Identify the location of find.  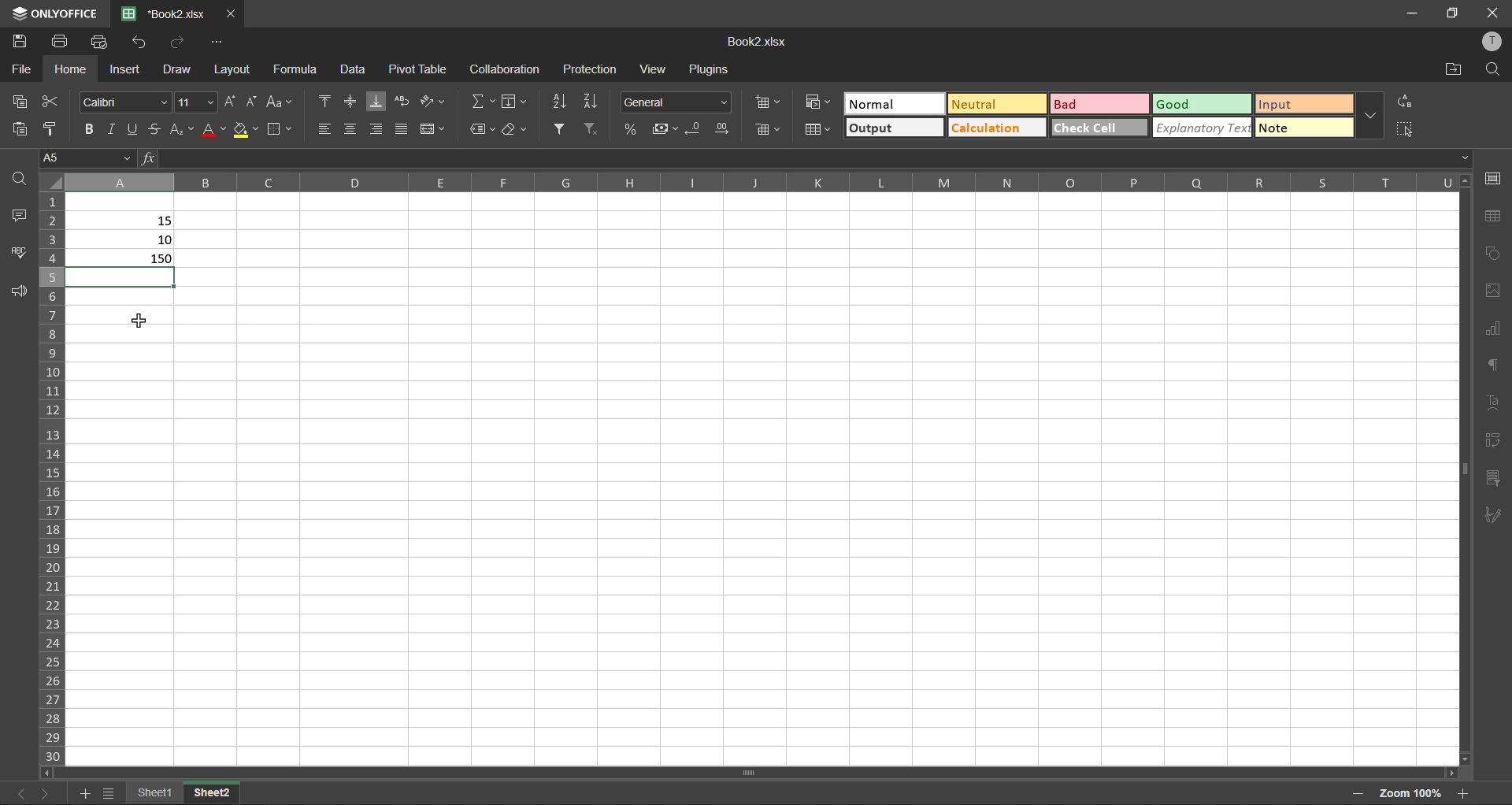
(1493, 68).